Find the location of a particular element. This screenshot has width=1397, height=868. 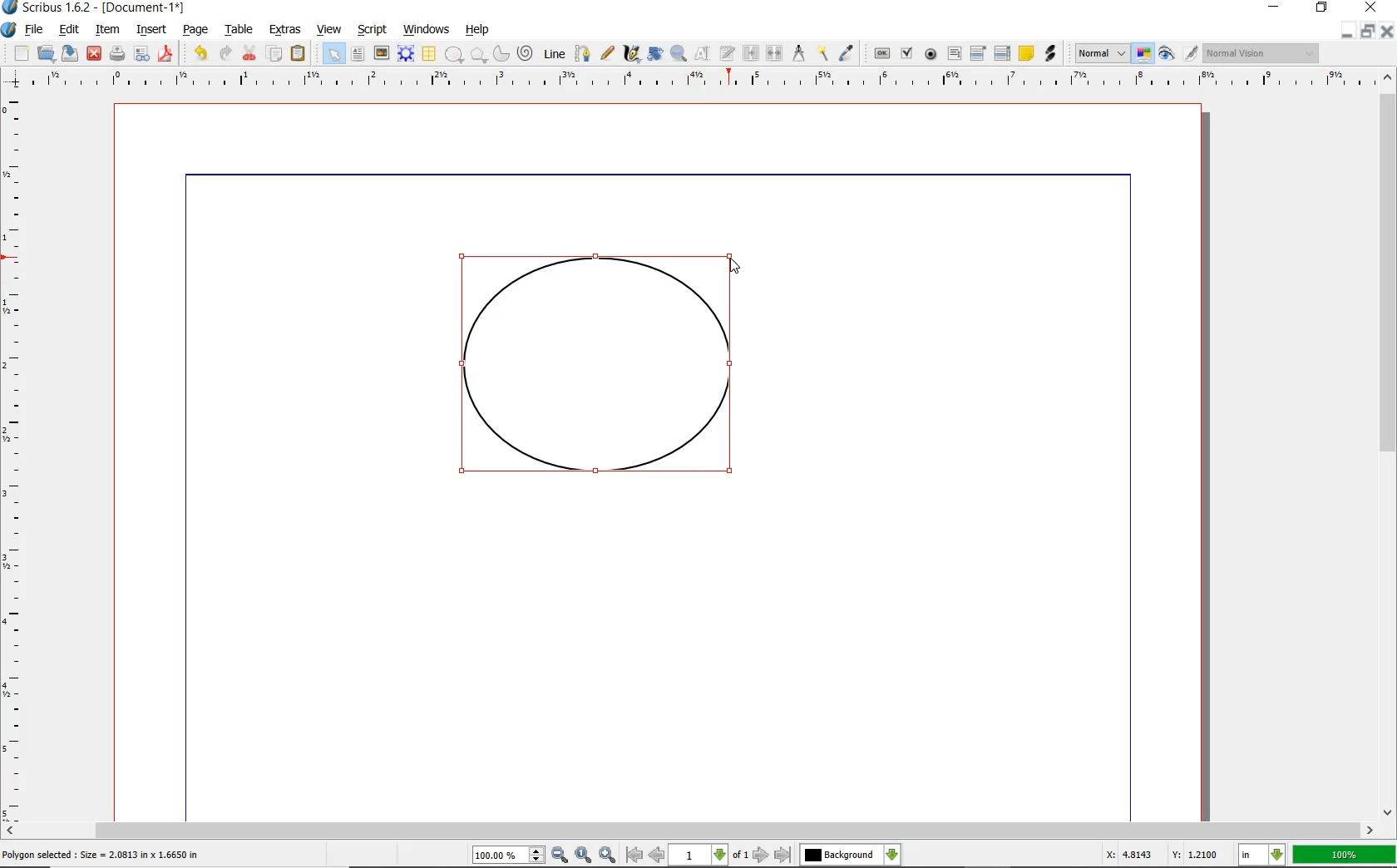

UNLINK TEXT FRAME is located at coordinates (773, 52).